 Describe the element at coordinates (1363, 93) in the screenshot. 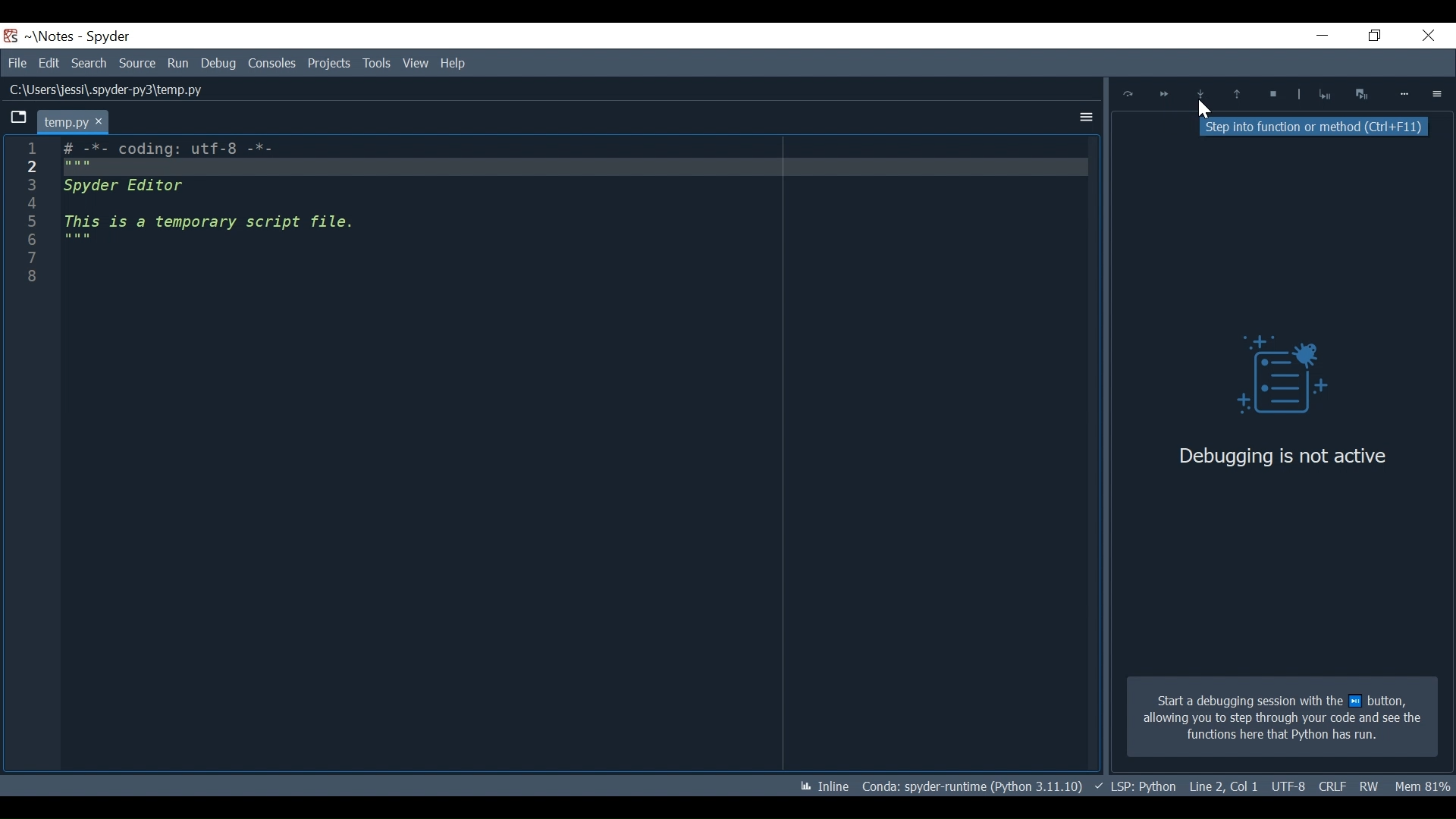

I see `Interrupt execution and start the debugger` at that location.